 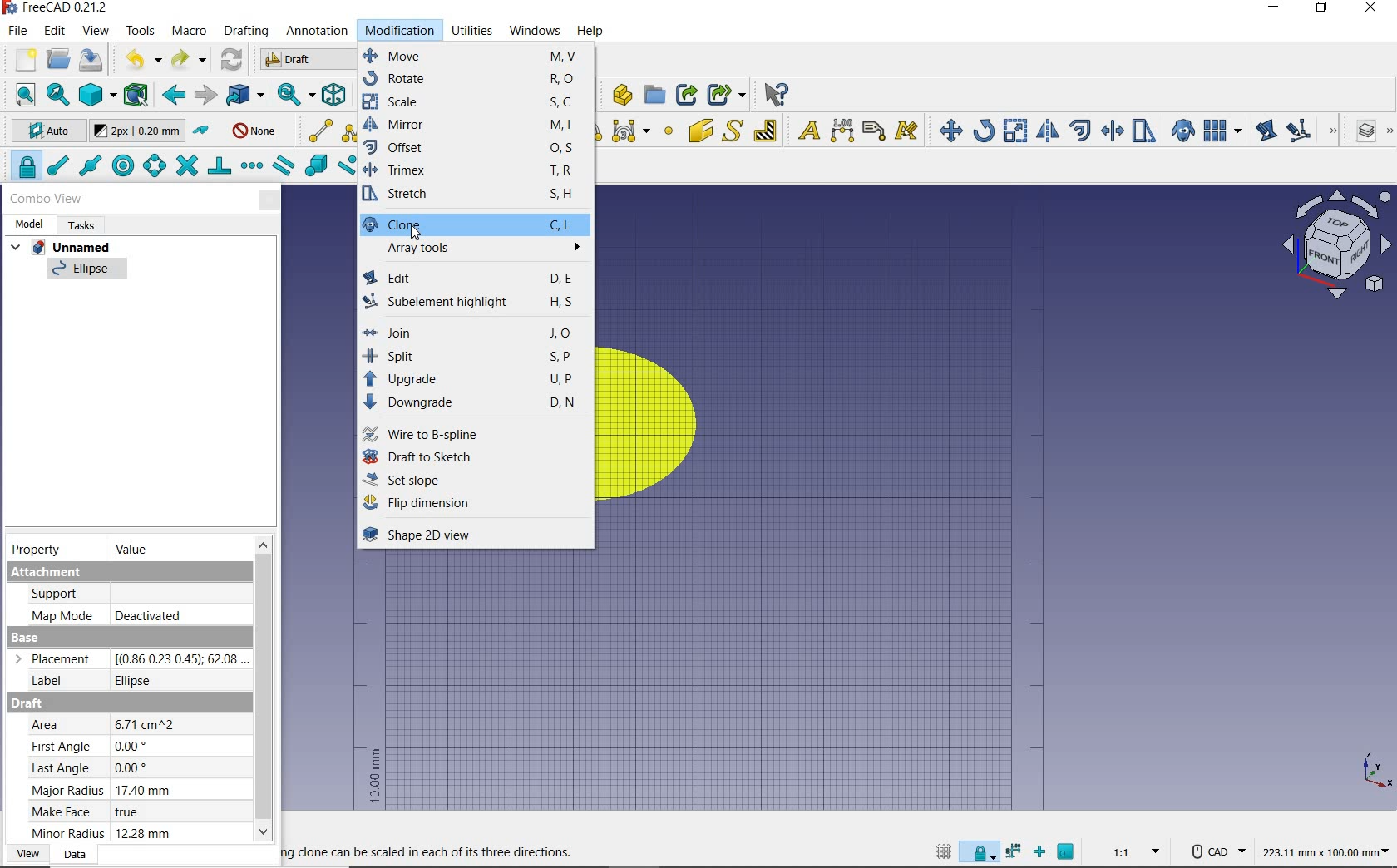 I want to click on draft, so click(x=122, y=770).